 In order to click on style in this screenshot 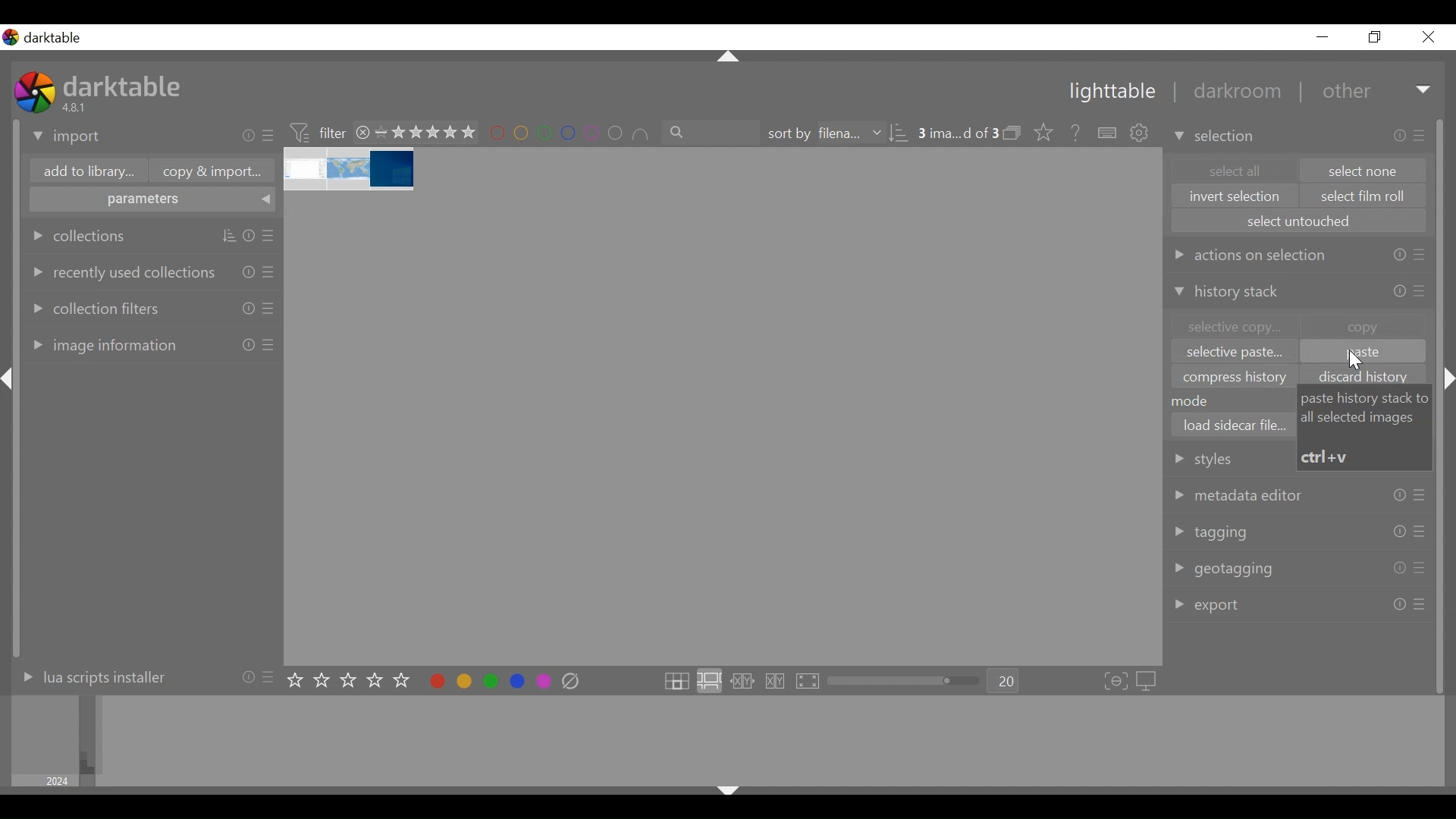, I will do `click(1225, 458)`.